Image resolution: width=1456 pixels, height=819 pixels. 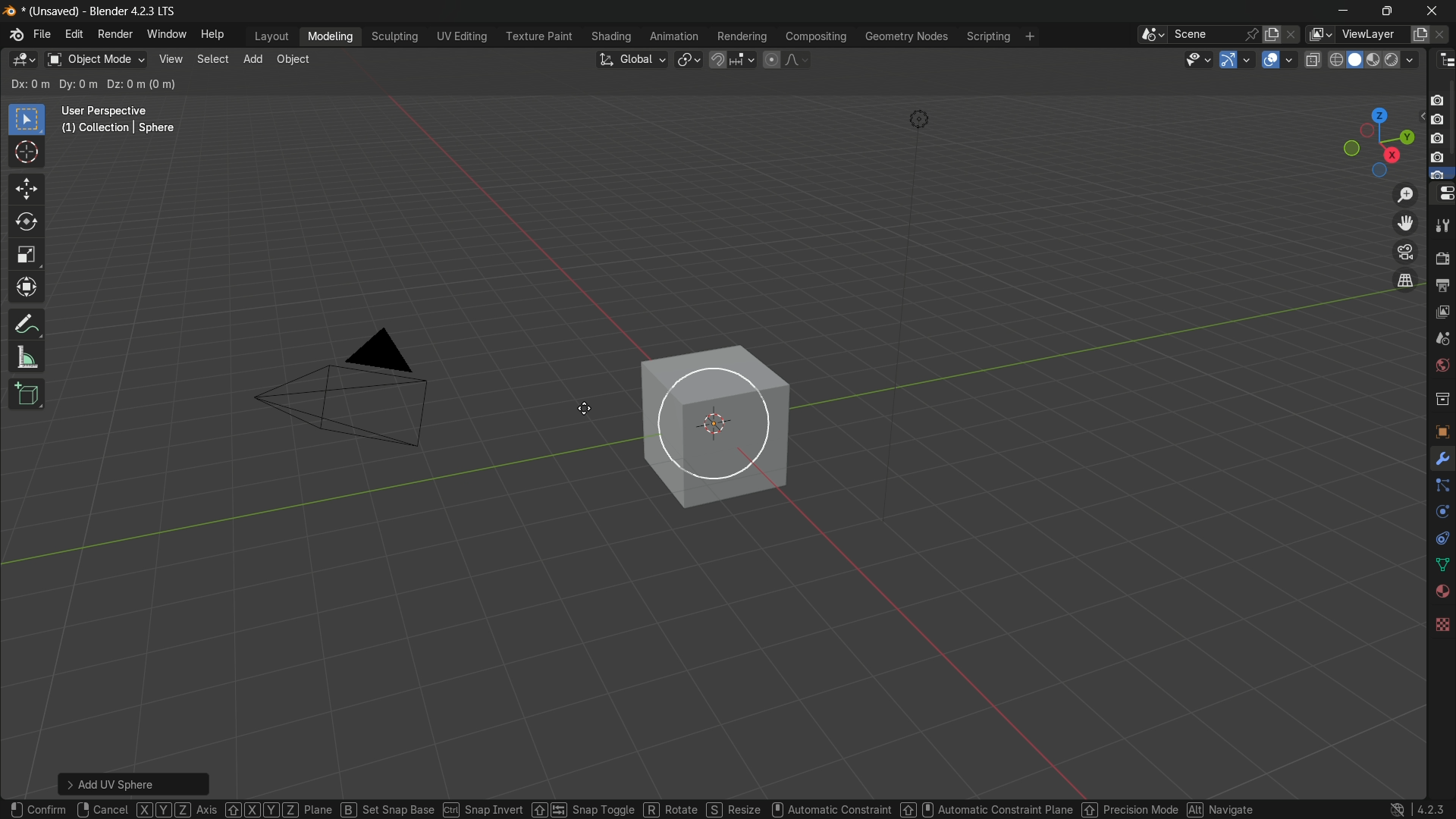 What do you see at coordinates (1441, 256) in the screenshot?
I see `render` at bounding box center [1441, 256].